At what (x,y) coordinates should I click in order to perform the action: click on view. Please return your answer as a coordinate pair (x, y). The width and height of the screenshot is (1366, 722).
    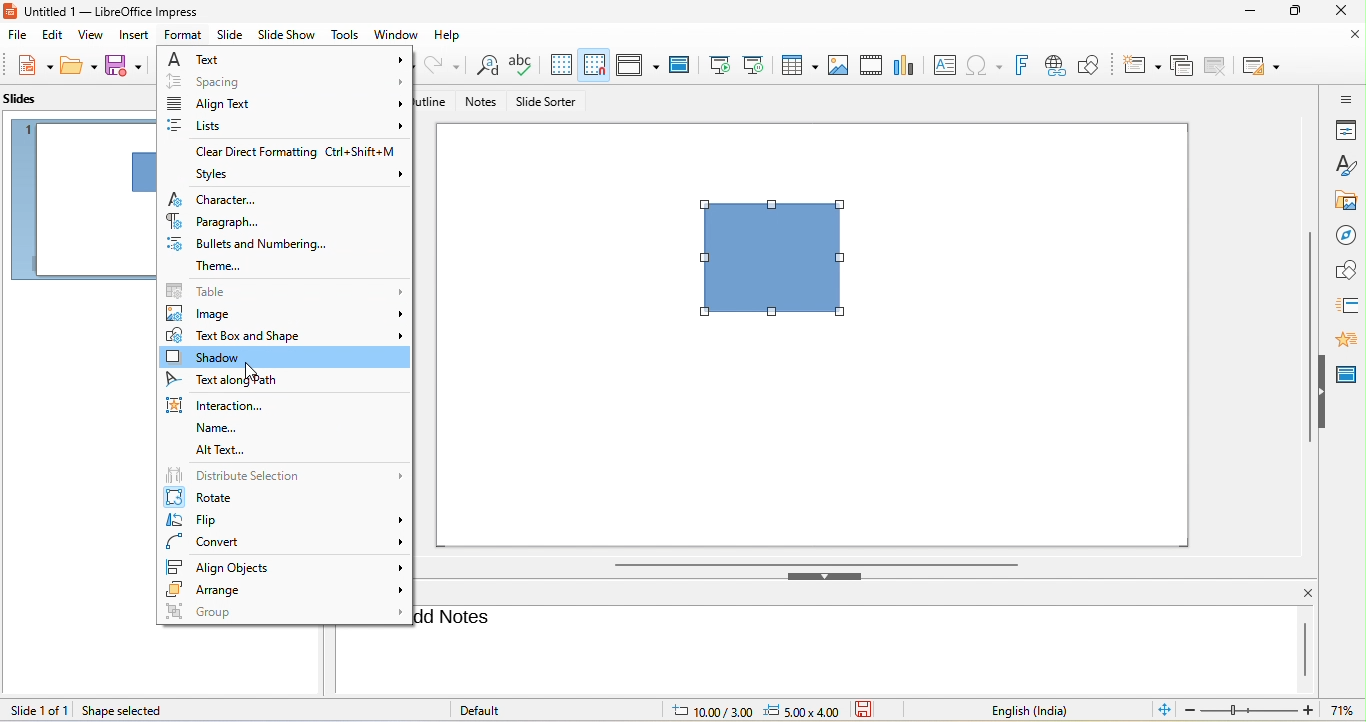
    Looking at the image, I should click on (92, 35).